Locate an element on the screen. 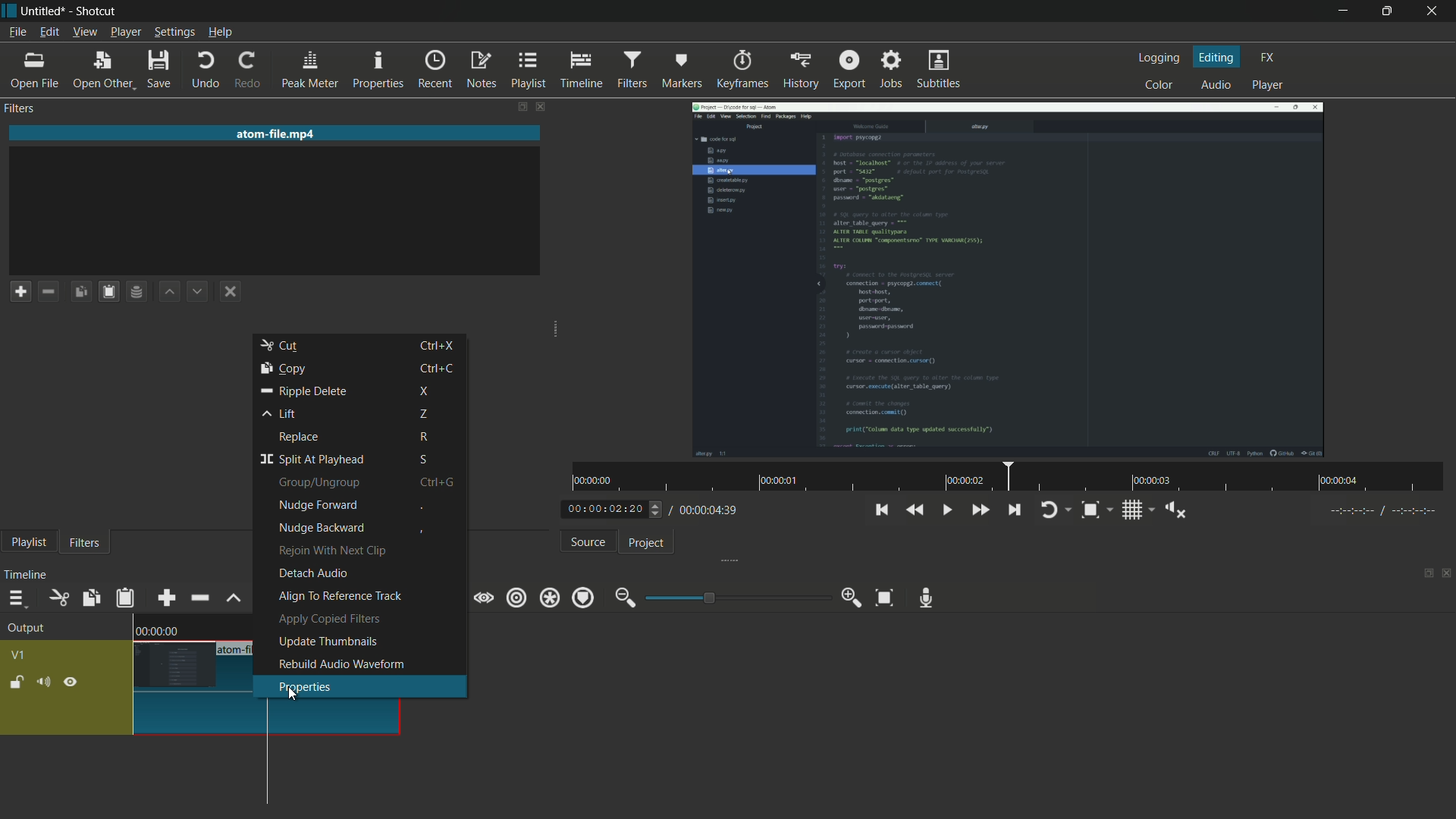 This screenshot has height=819, width=1456. file menu is located at coordinates (18, 33).